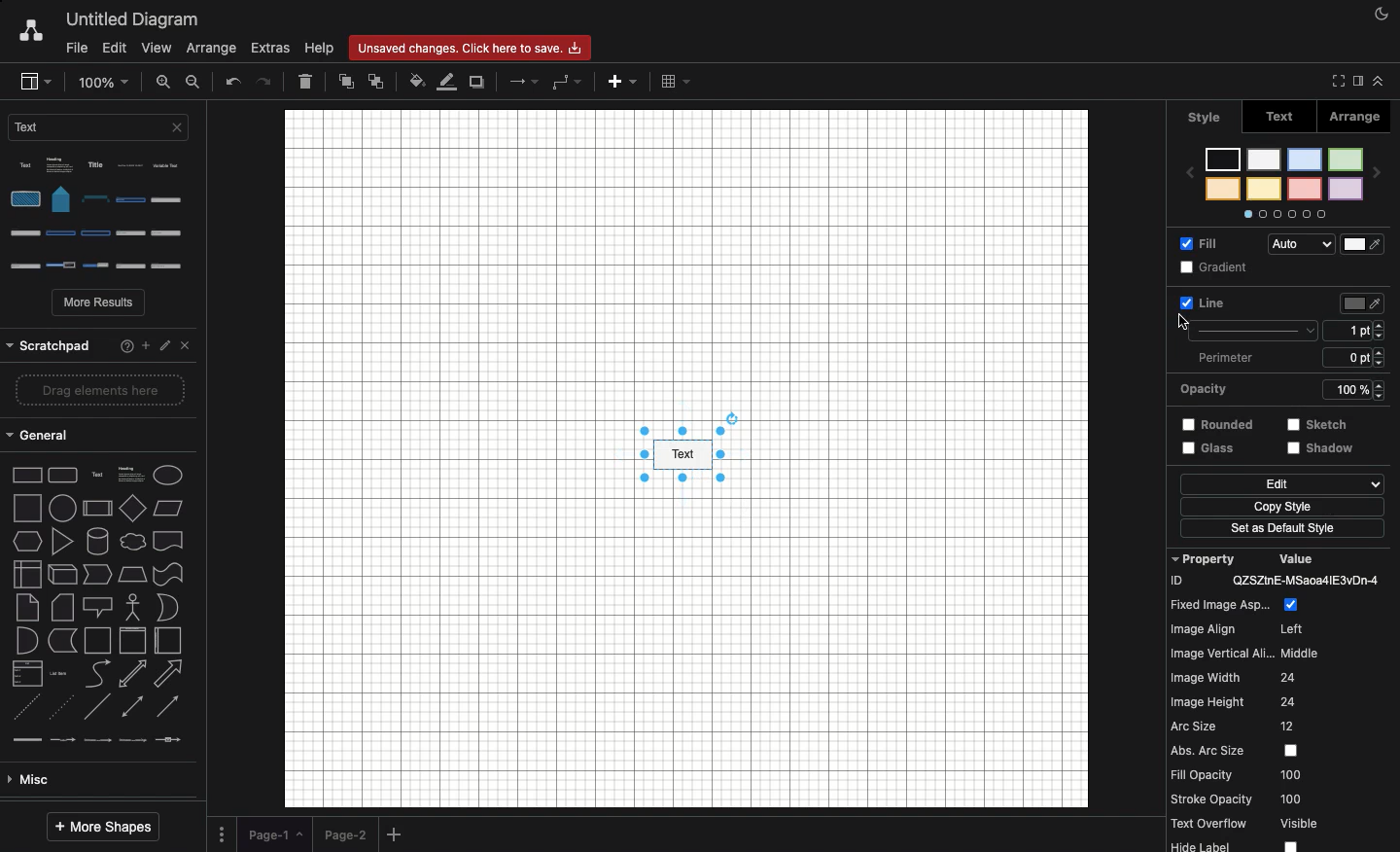 The height and width of the screenshot is (852, 1400). I want to click on Edit, so click(113, 47).